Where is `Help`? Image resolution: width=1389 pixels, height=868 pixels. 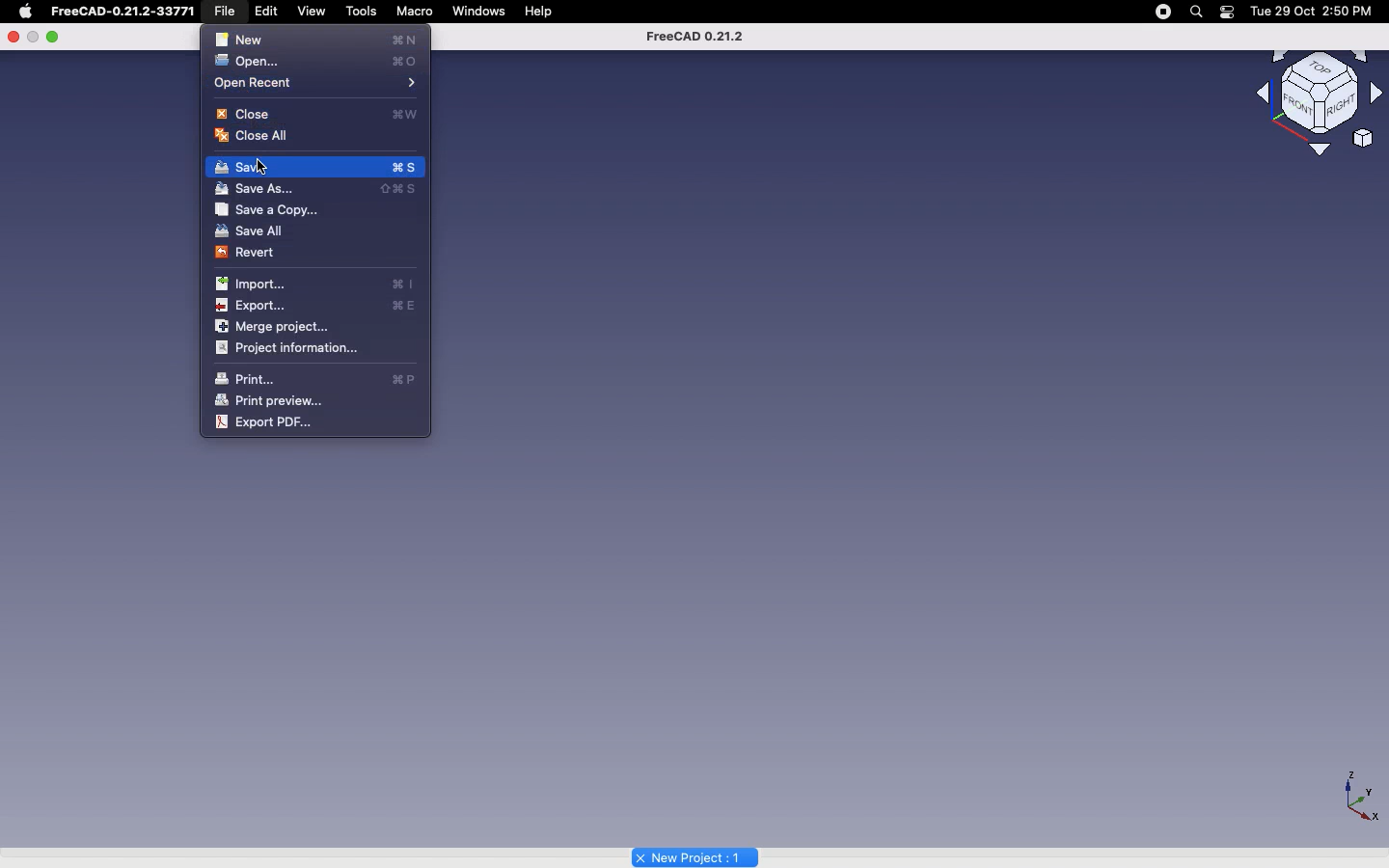 Help is located at coordinates (541, 12).